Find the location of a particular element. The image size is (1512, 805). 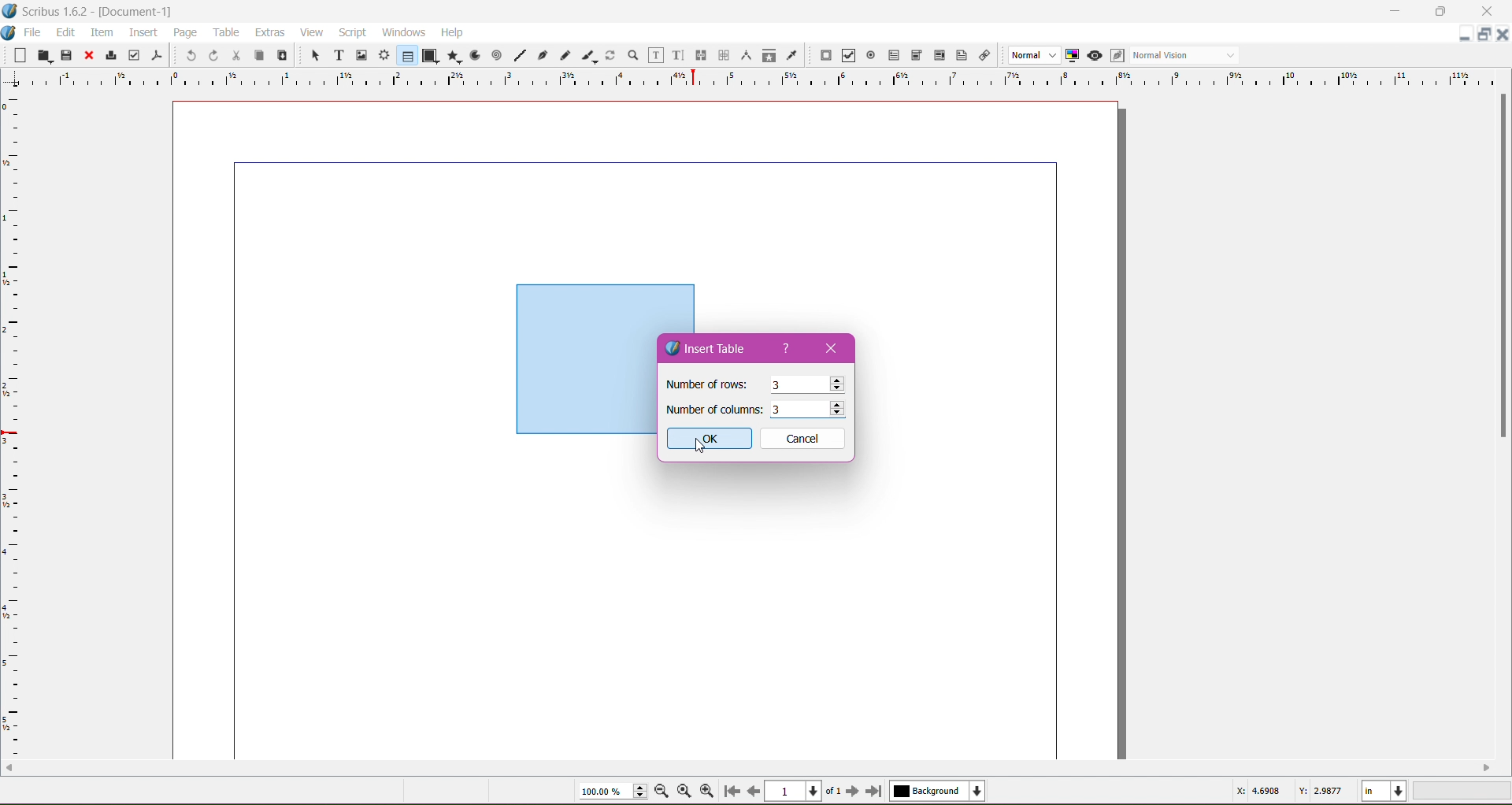

scroll bar is located at coordinates (1503, 428).